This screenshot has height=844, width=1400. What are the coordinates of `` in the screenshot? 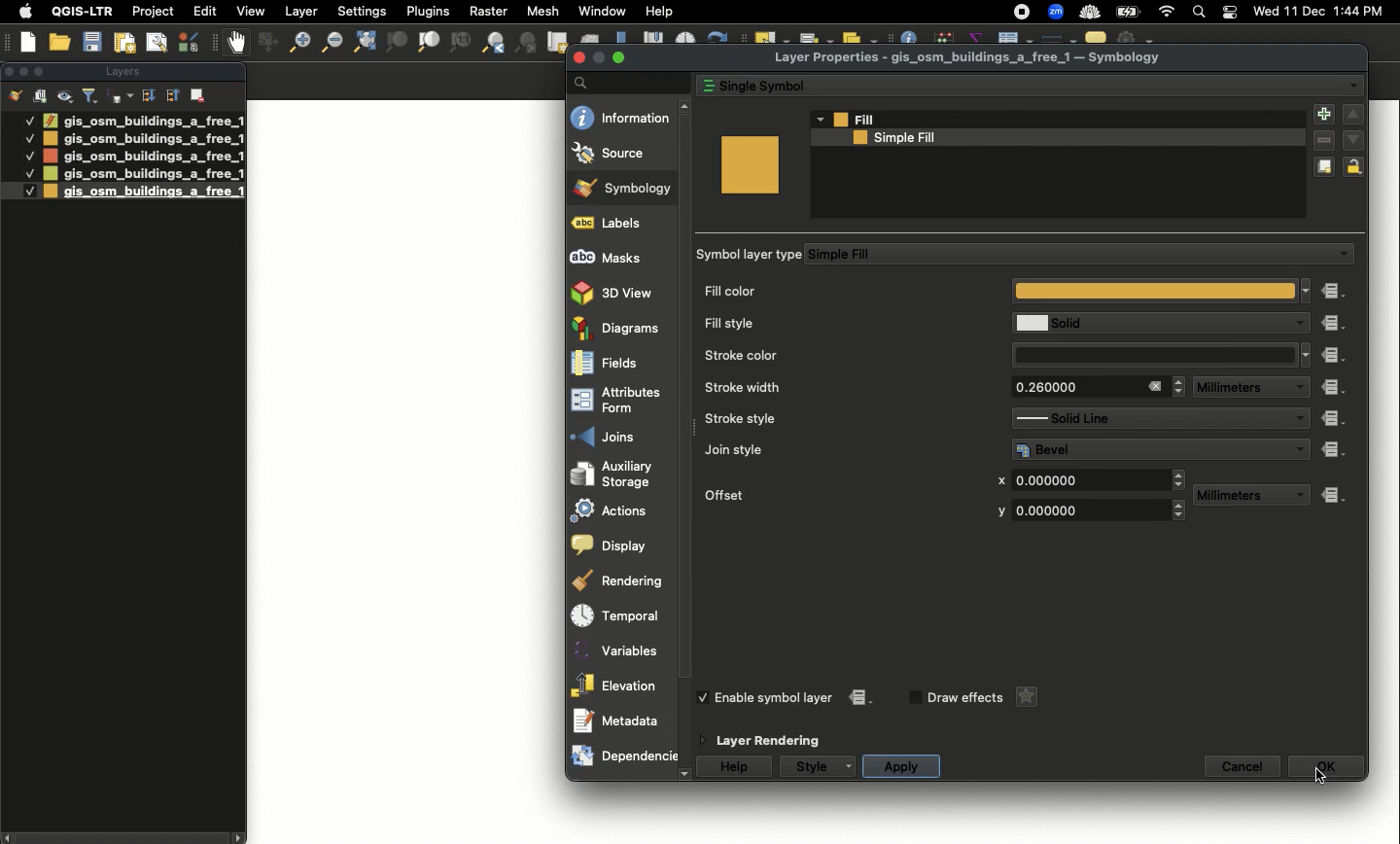 It's located at (1335, 325).